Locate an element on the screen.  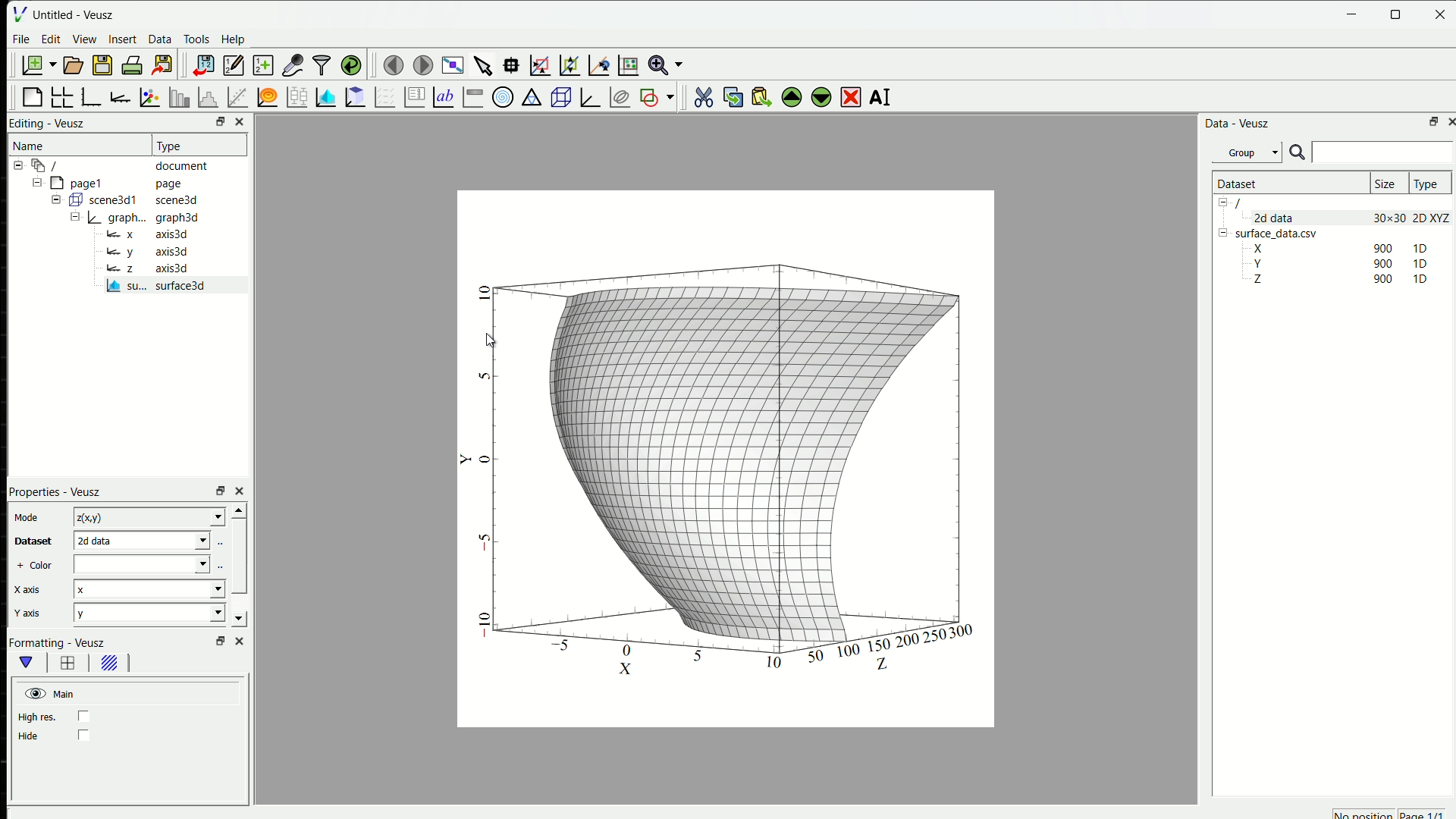
page1 is located at coordinates (77, 183).